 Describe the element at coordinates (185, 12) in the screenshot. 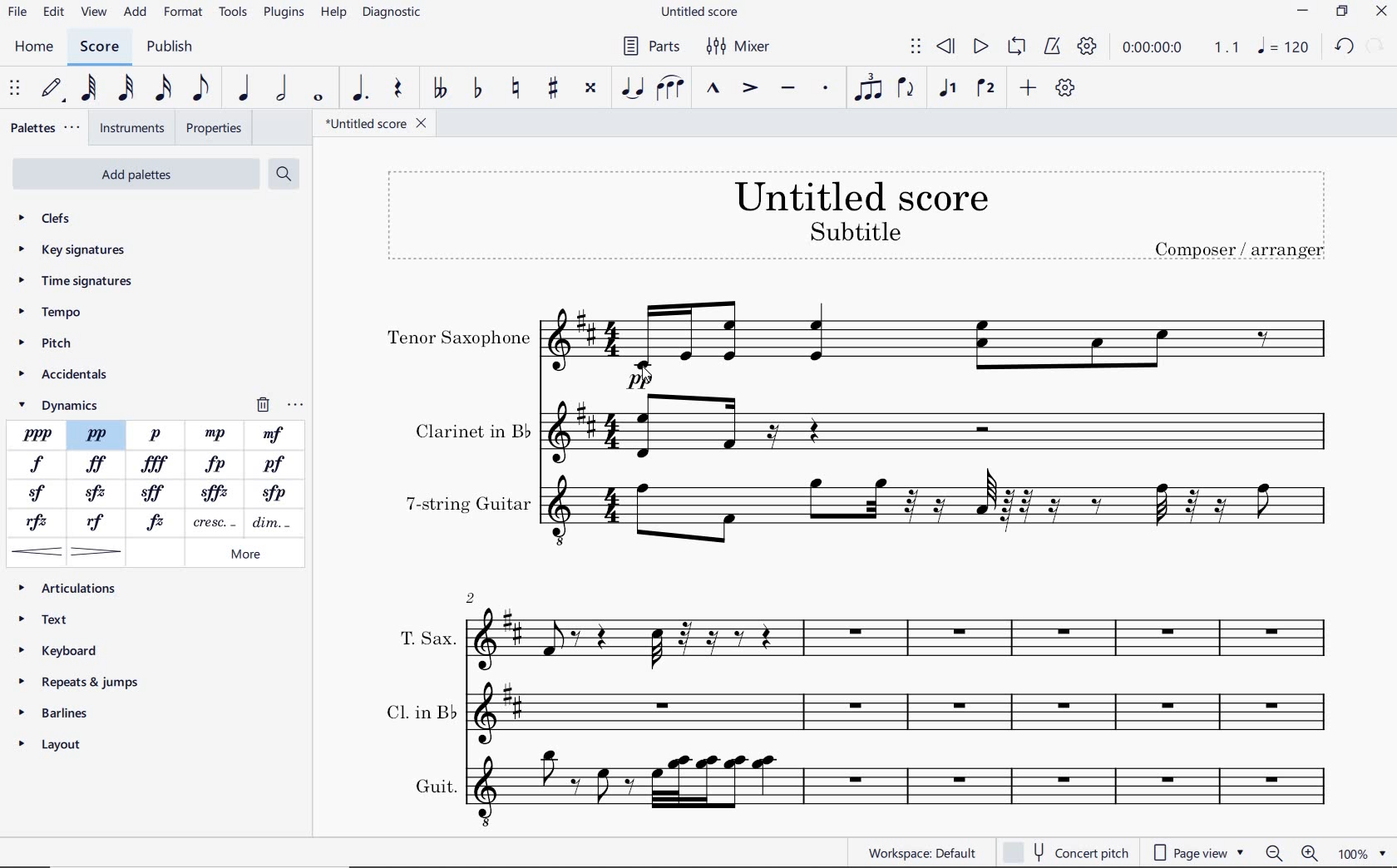

I see `format` at that location.